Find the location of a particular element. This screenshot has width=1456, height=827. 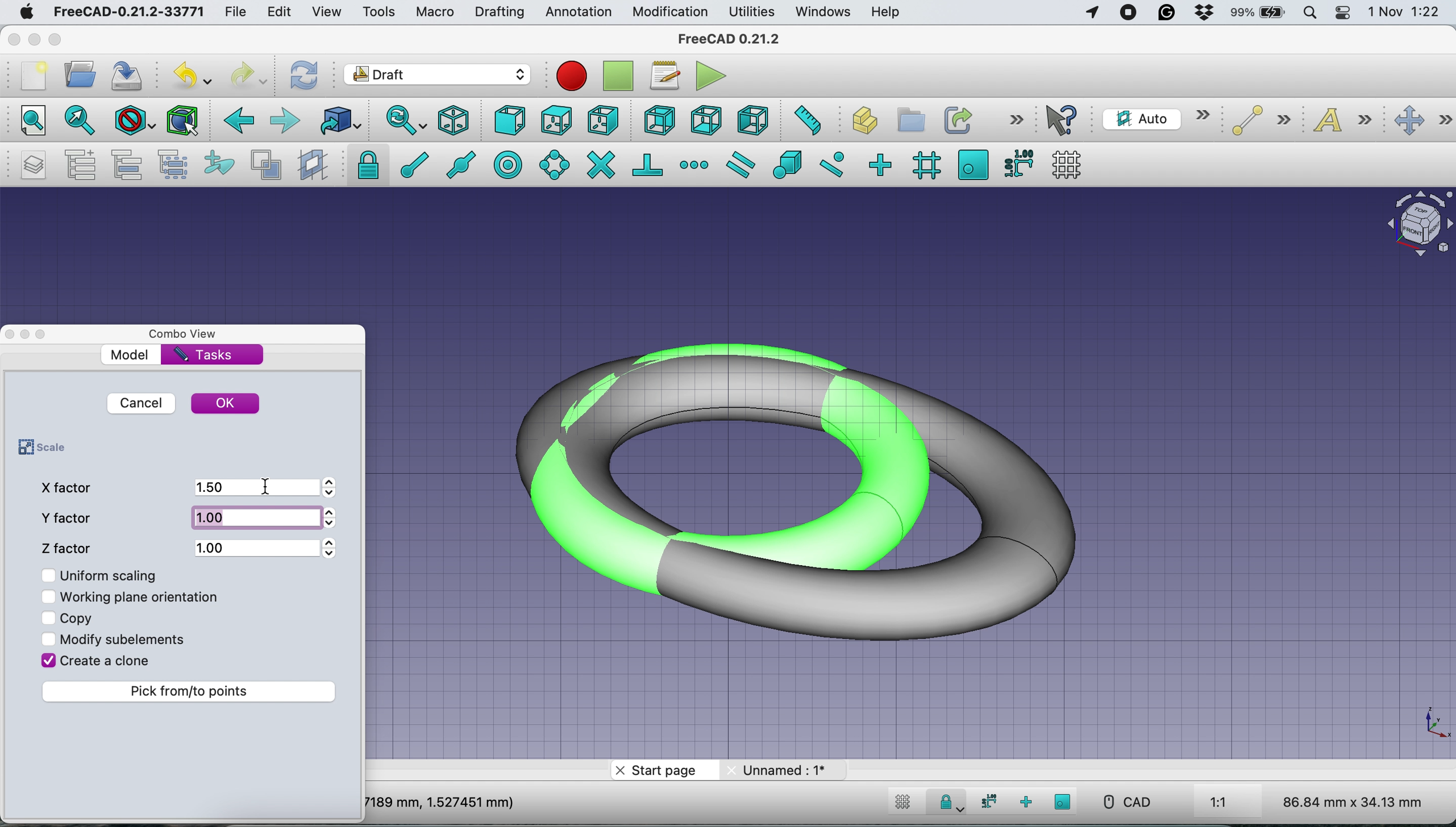

dropbox is located at coordinates (1203, 12).